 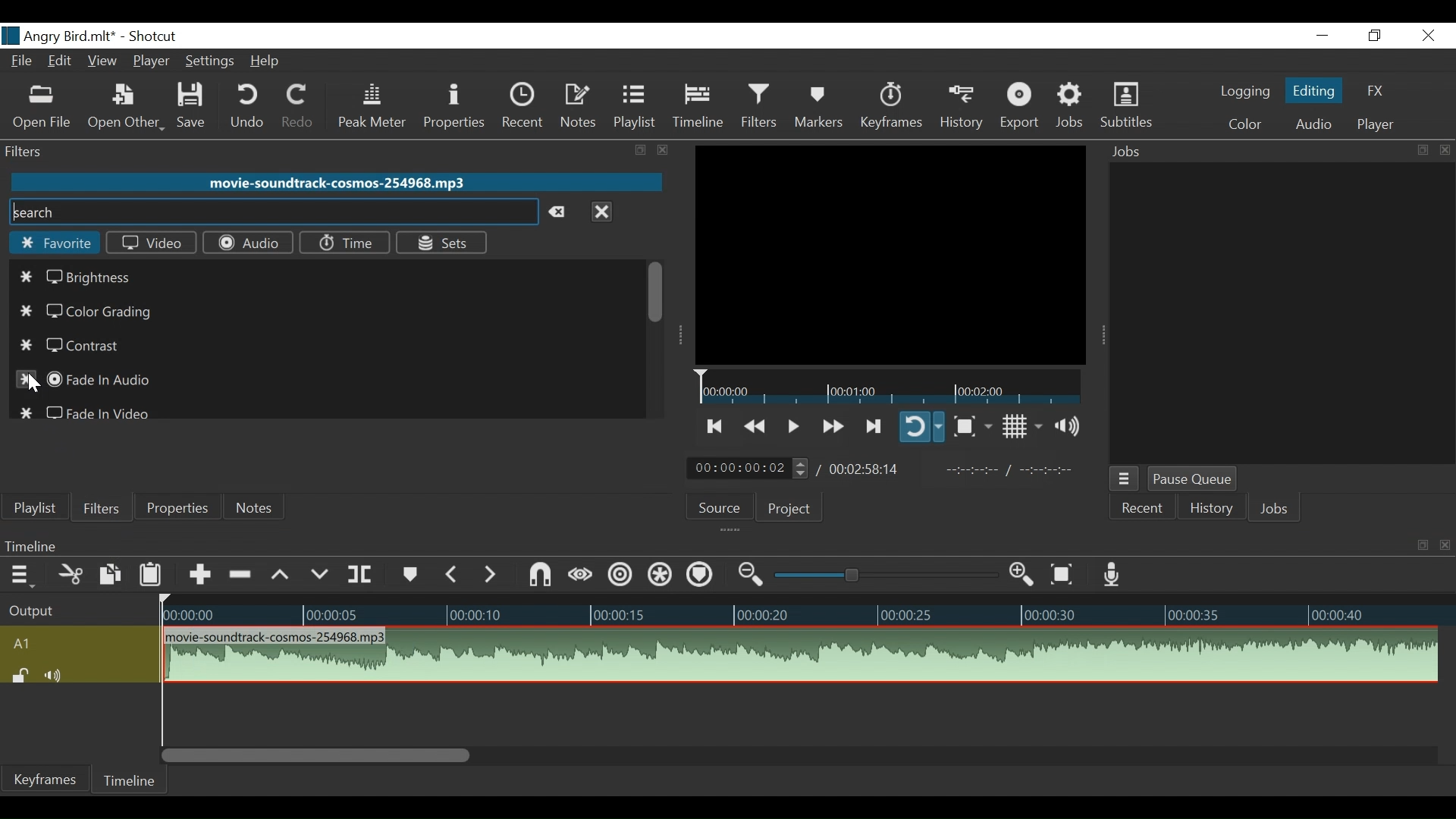 What do you see at coordinates (618, 576) in the screenshot?
I see `Ripple ` at bounding box center [618, 576].